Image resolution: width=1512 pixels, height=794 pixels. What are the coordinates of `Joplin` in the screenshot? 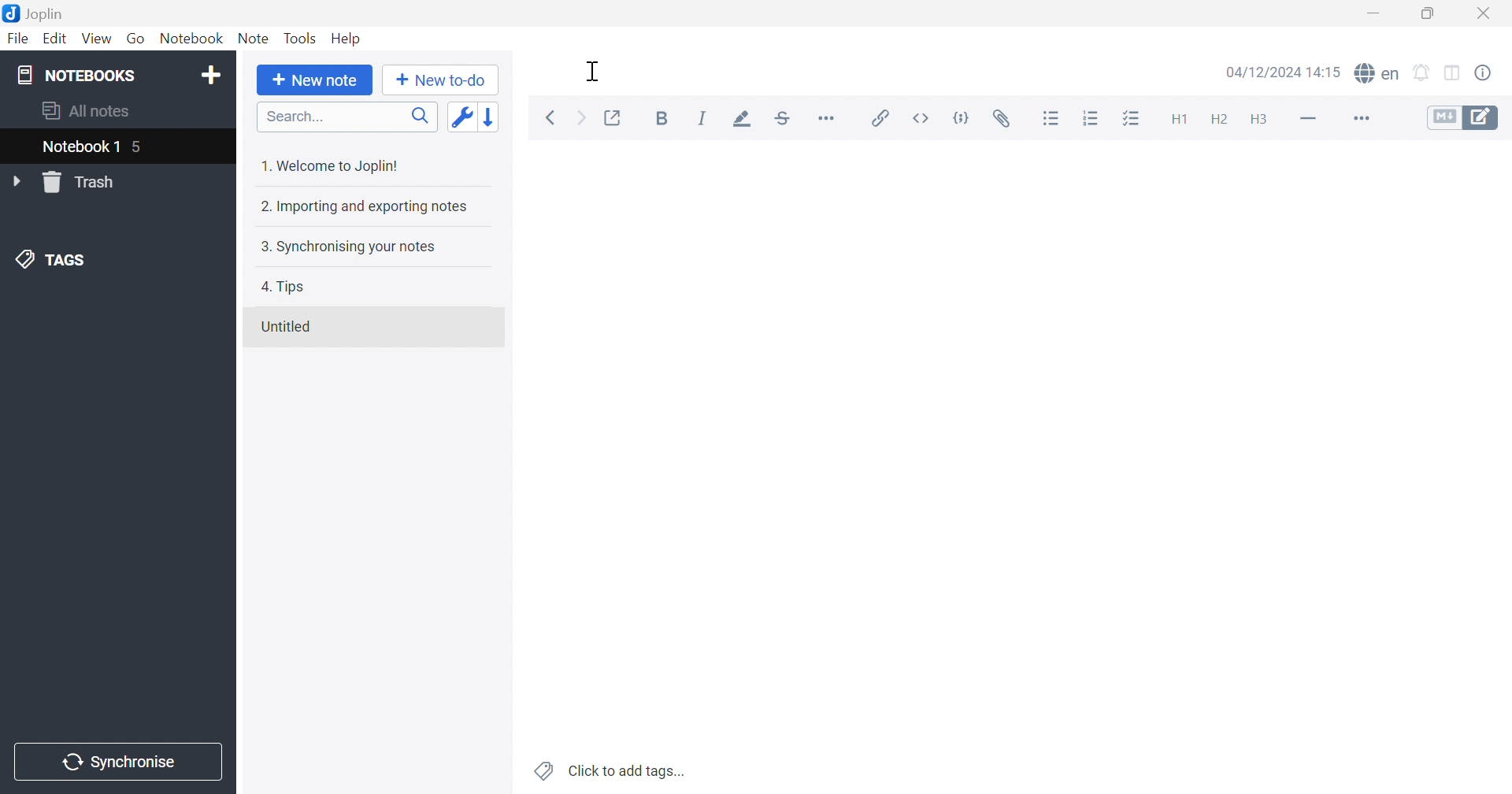 It's located at (33, 12).